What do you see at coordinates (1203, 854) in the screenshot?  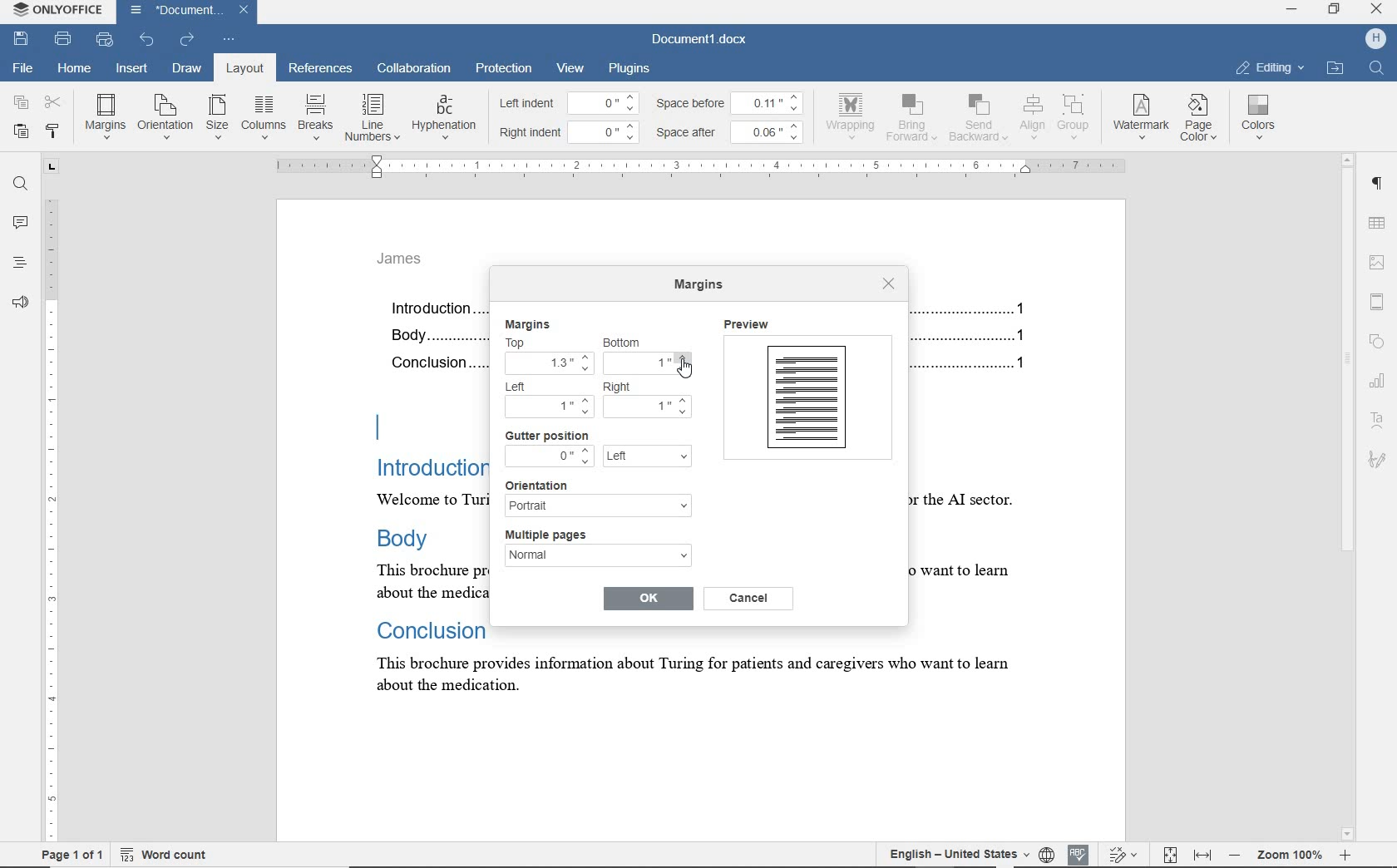 I see `fit to width` at bounding box center [1203, 854].